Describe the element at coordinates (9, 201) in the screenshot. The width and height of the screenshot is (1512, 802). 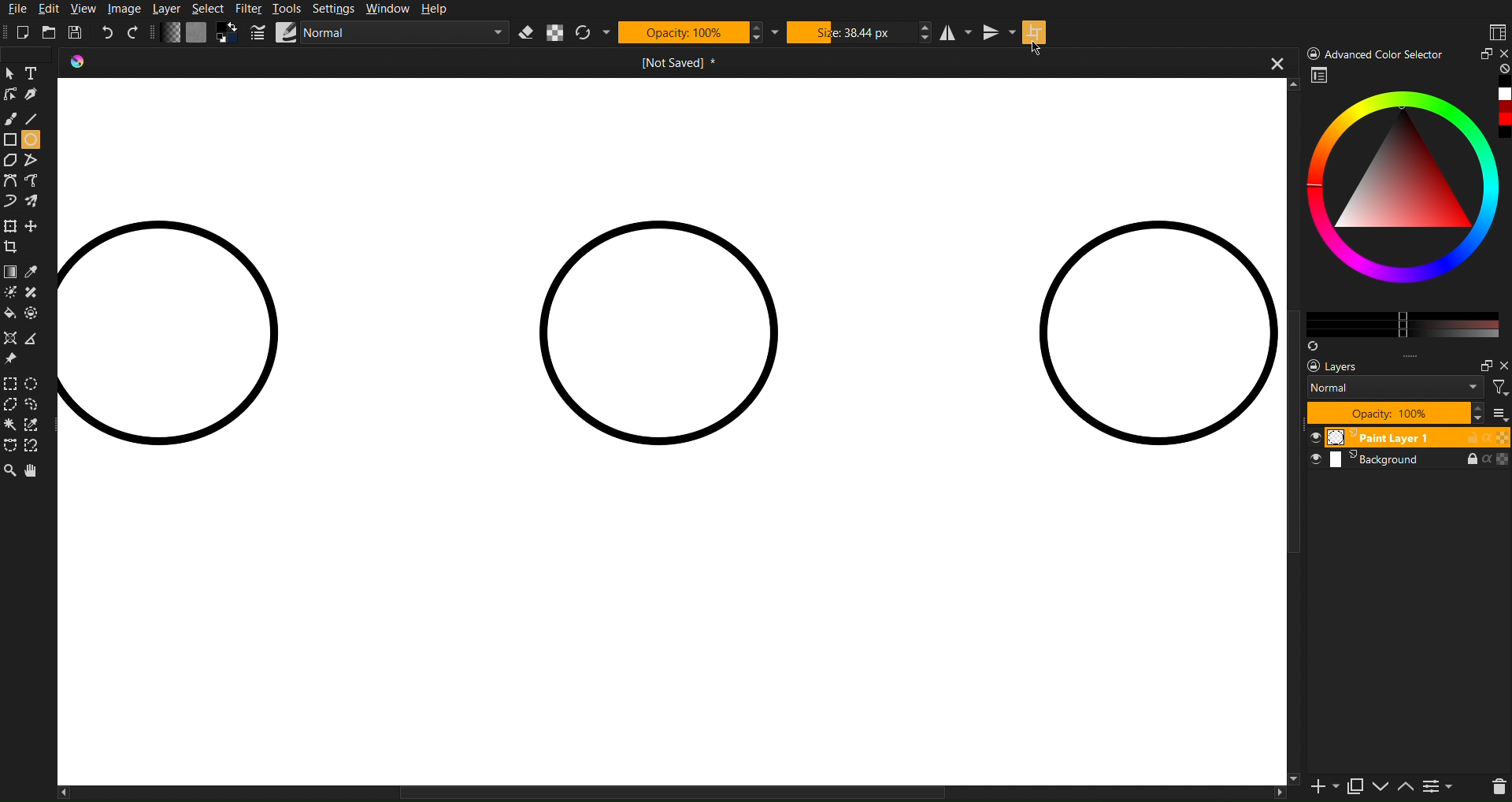
I see `Curve` at that location.